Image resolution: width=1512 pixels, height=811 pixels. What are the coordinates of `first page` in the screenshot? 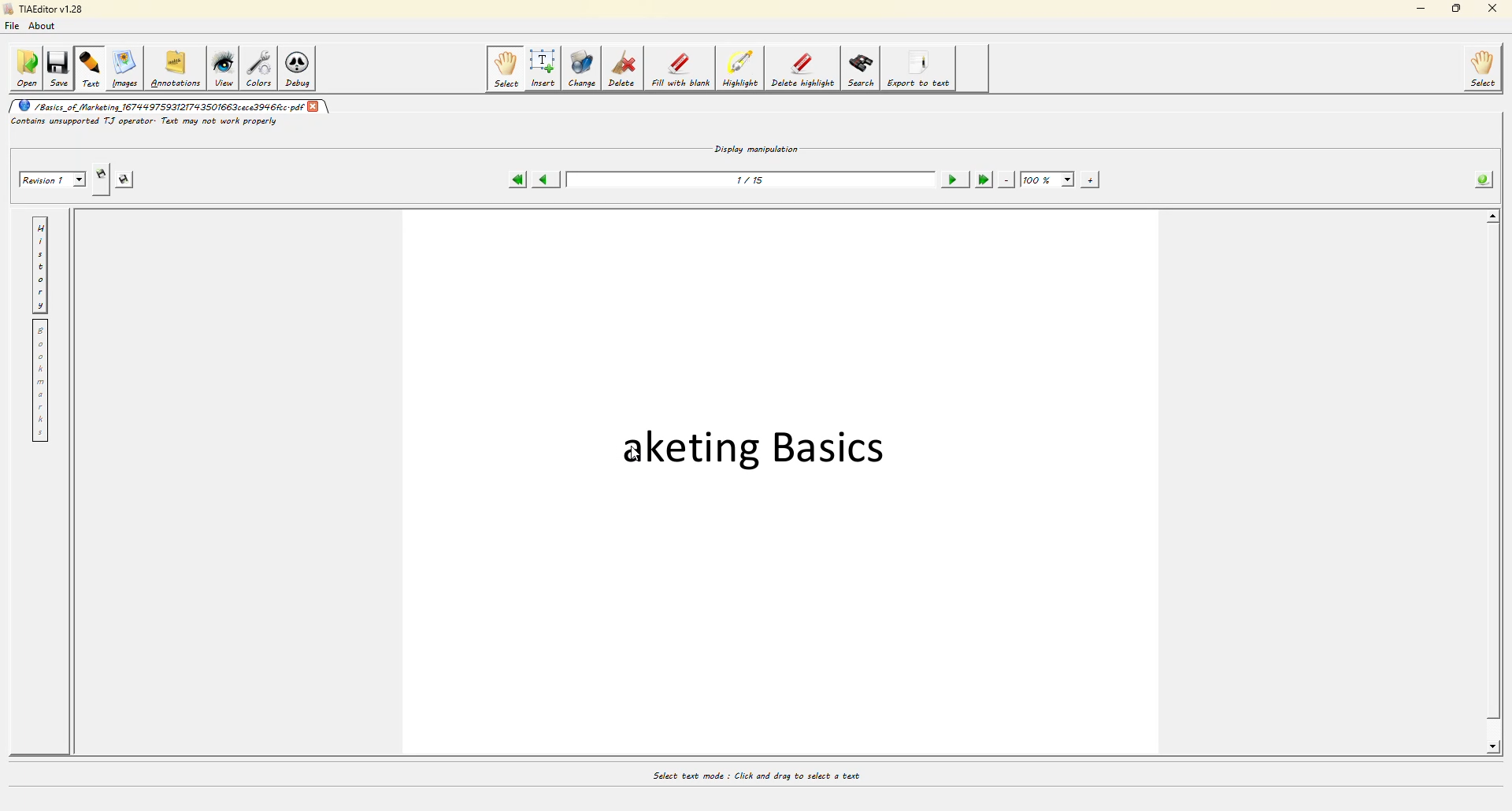 It's located at (513, 180).